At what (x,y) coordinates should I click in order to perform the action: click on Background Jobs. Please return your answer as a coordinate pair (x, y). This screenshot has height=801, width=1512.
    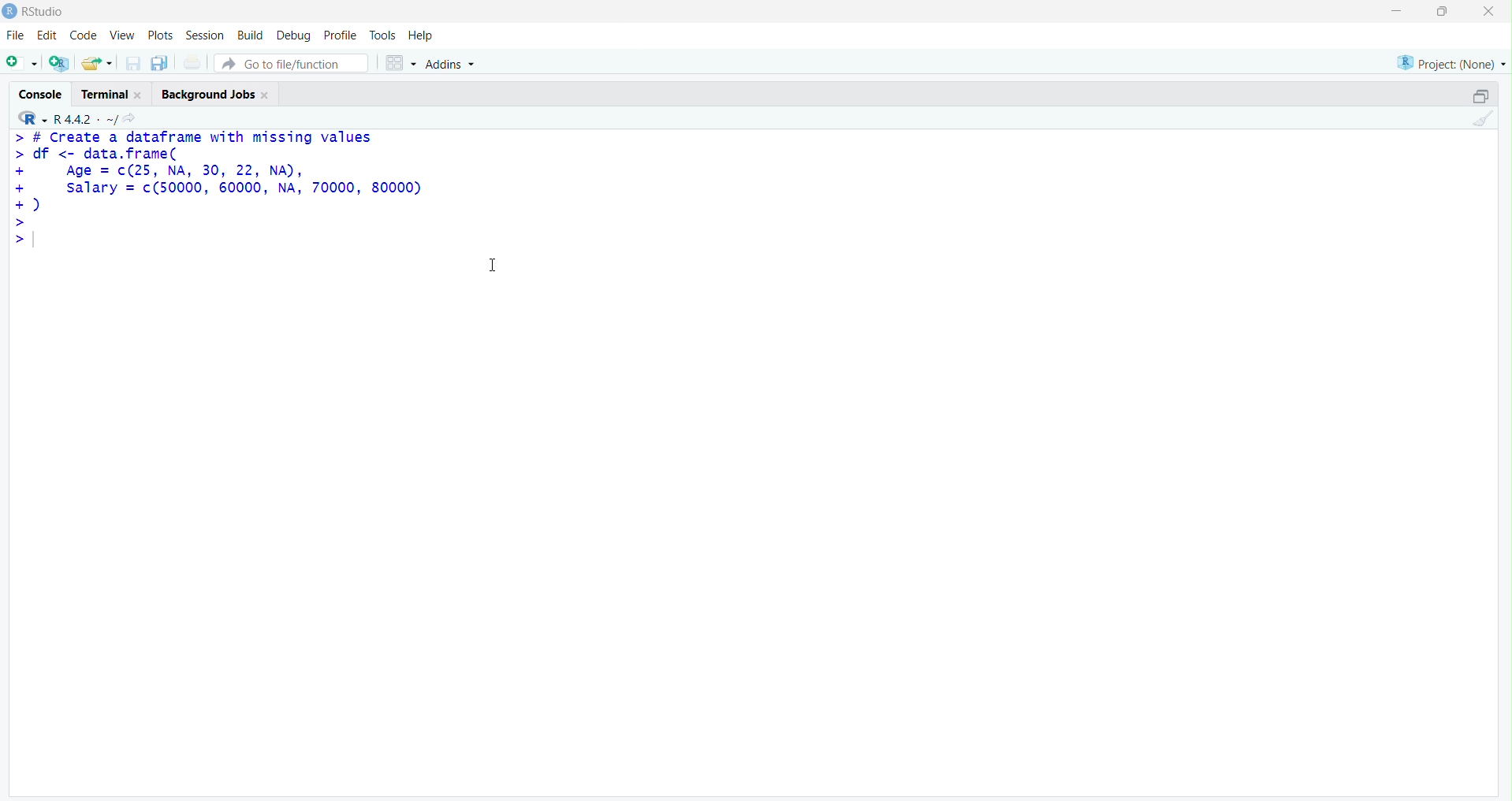
    Looking at the image, I should click on (215, 92).